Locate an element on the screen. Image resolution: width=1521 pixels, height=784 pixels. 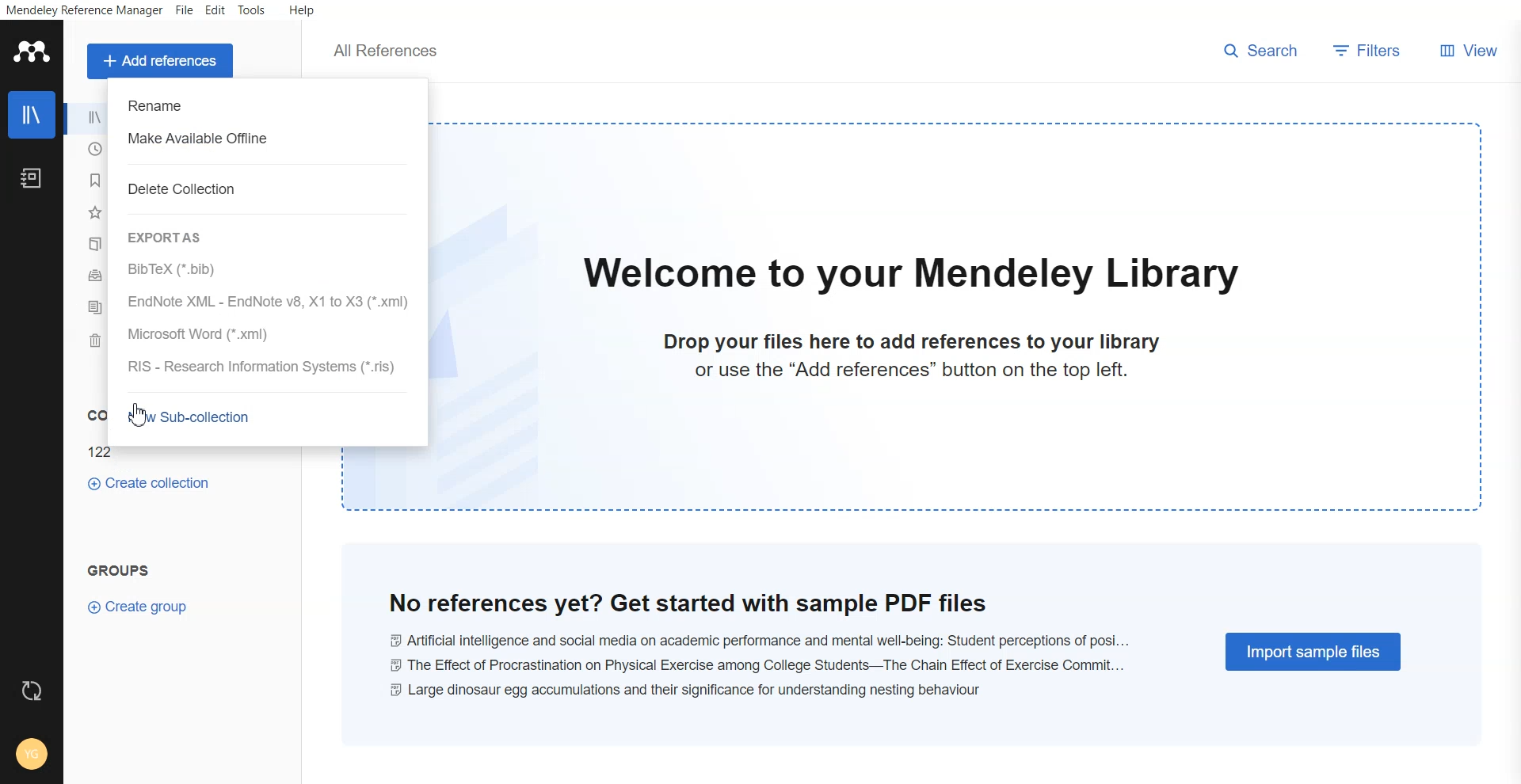
Create group is located at coordinates (142, 607).